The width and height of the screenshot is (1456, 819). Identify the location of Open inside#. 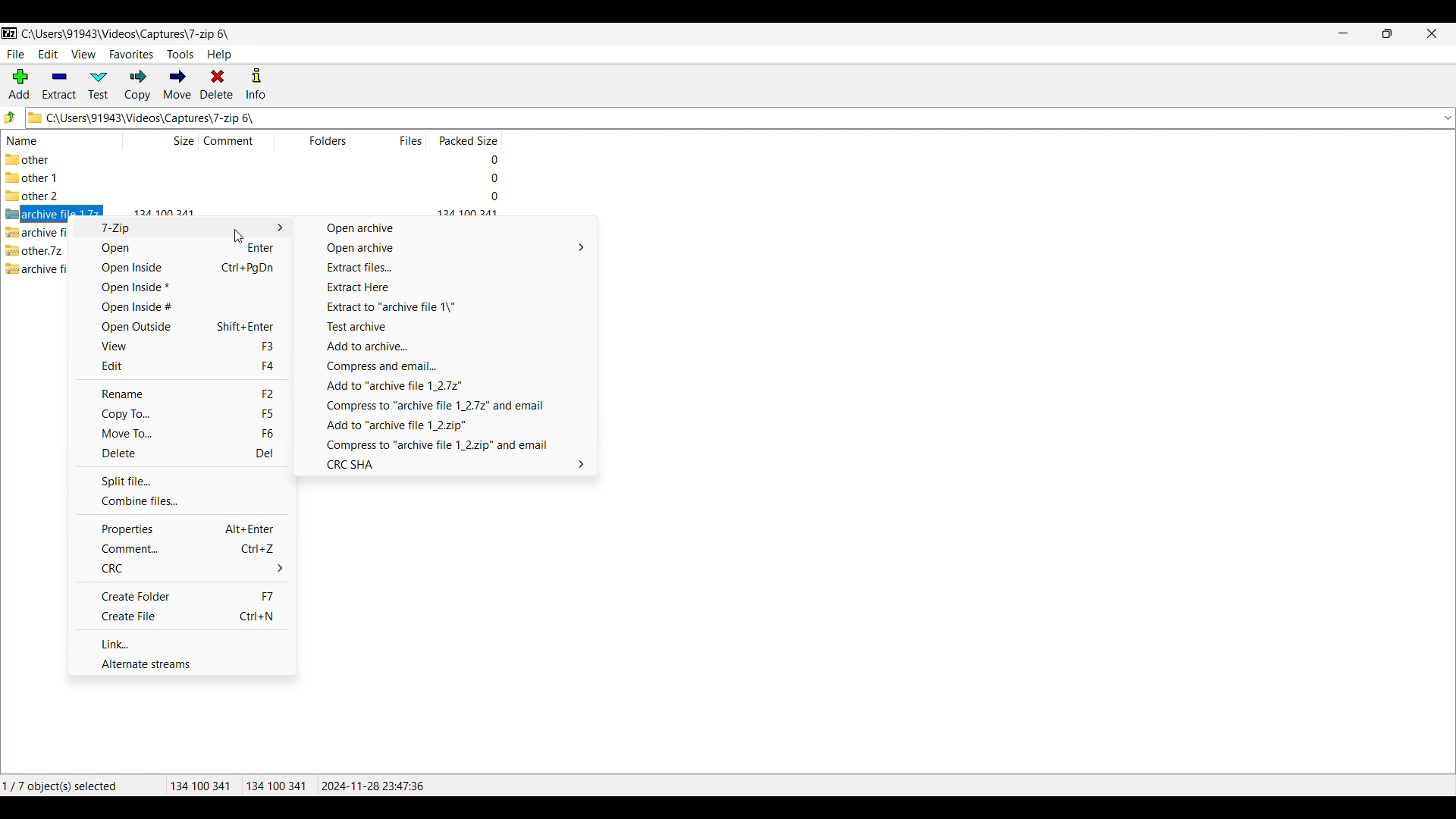
(180, 307).